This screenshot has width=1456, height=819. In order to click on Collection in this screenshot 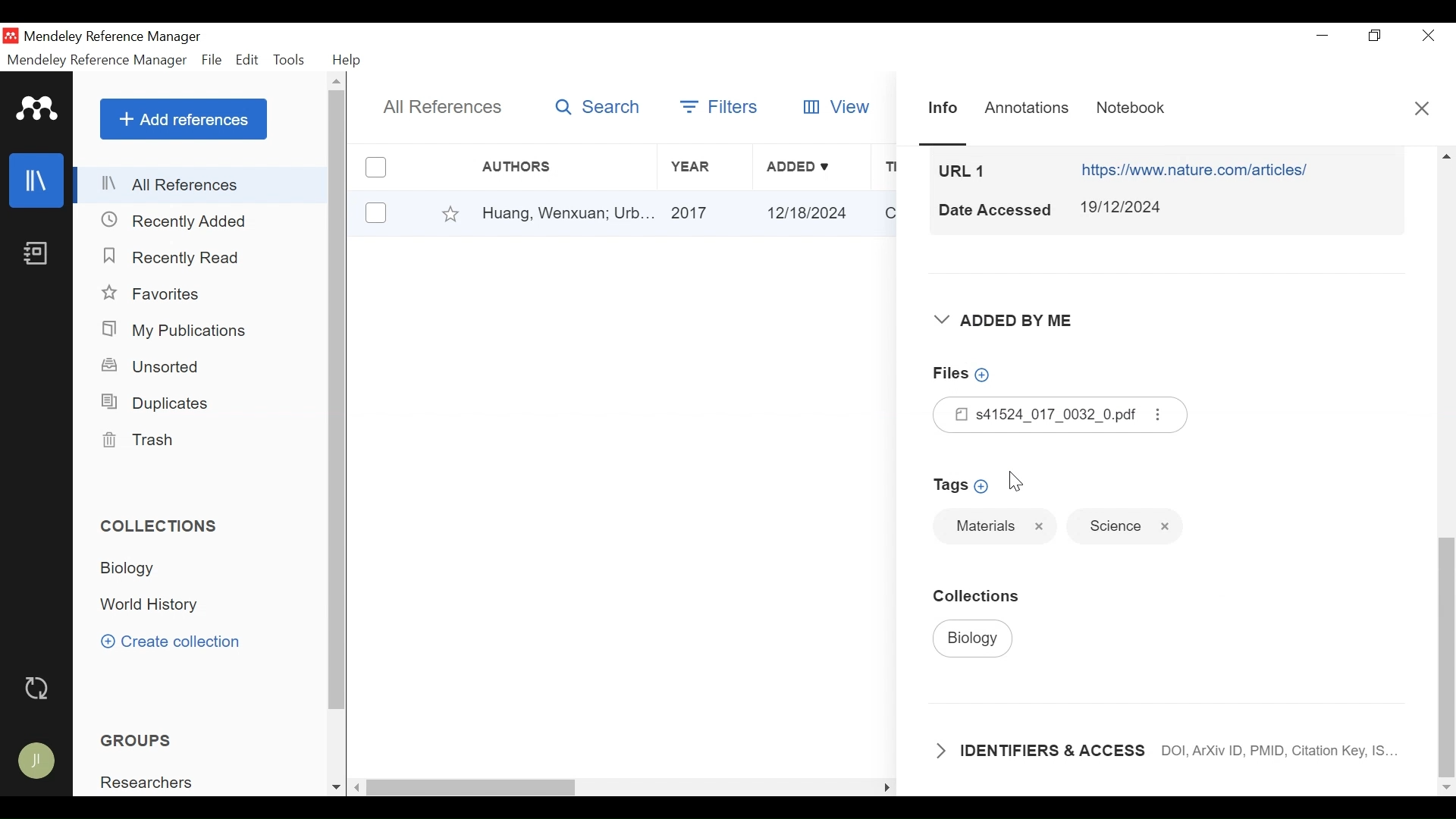, I will do `click(144, 570)`.